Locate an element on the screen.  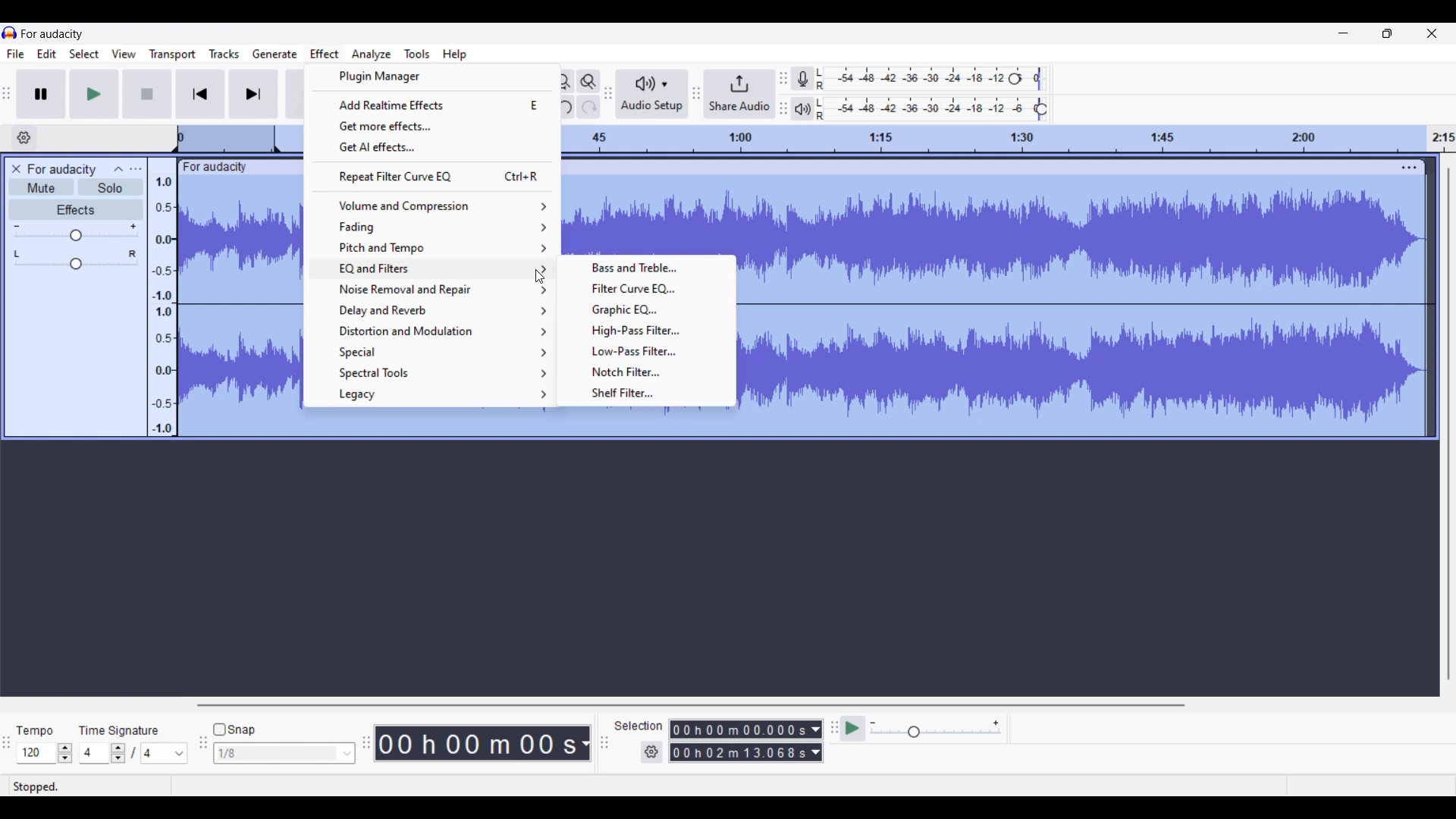
Notch filter is located at coordinates (648, 372).